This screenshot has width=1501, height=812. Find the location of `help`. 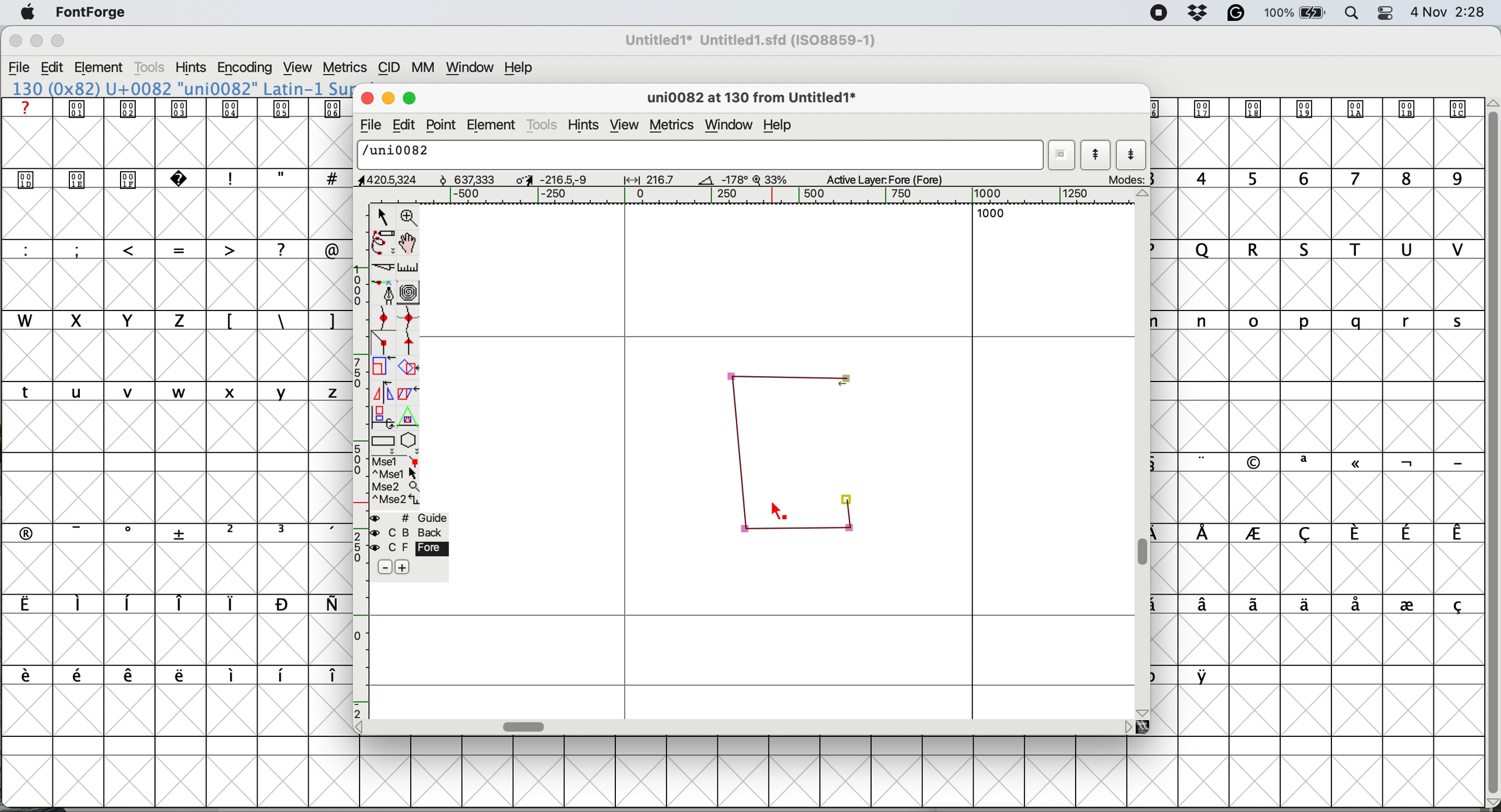

help is located at coordinates (781, 127).